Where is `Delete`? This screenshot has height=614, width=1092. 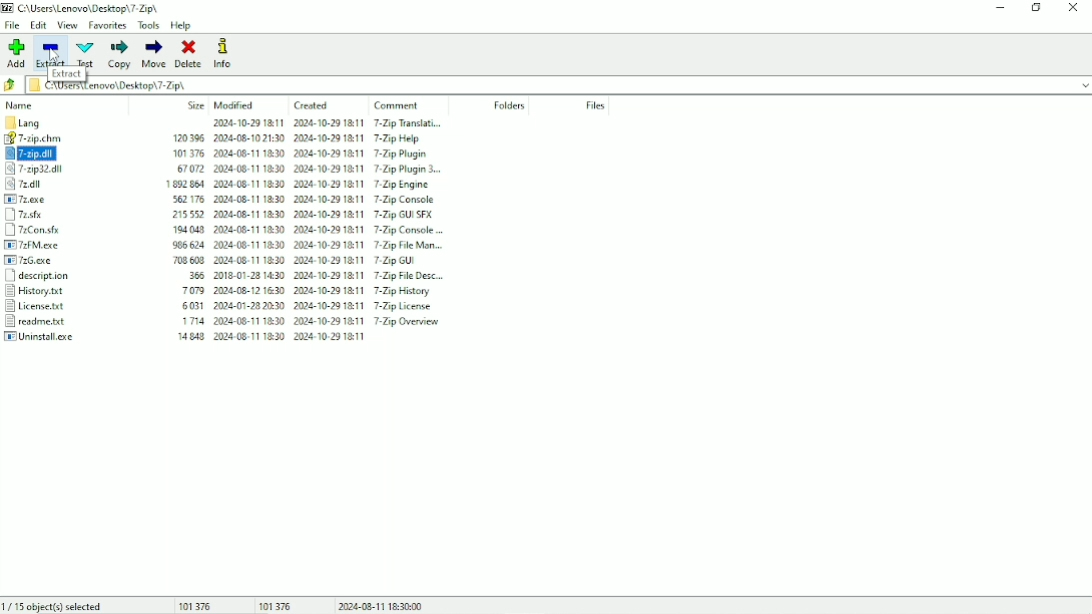
Delete is located at coordinates (189, 54).